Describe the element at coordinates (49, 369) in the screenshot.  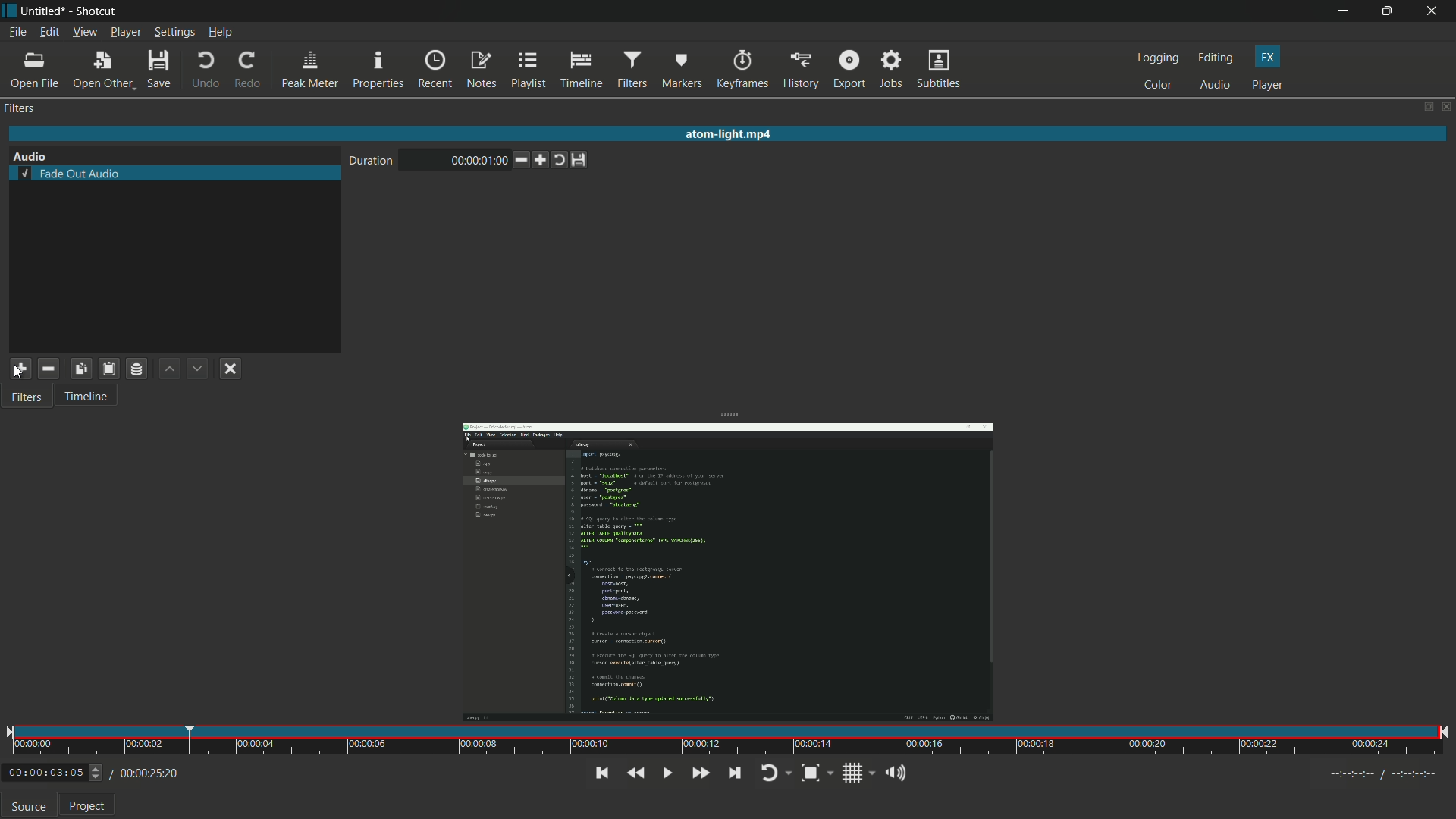
I see `remove selected filter` at that location.